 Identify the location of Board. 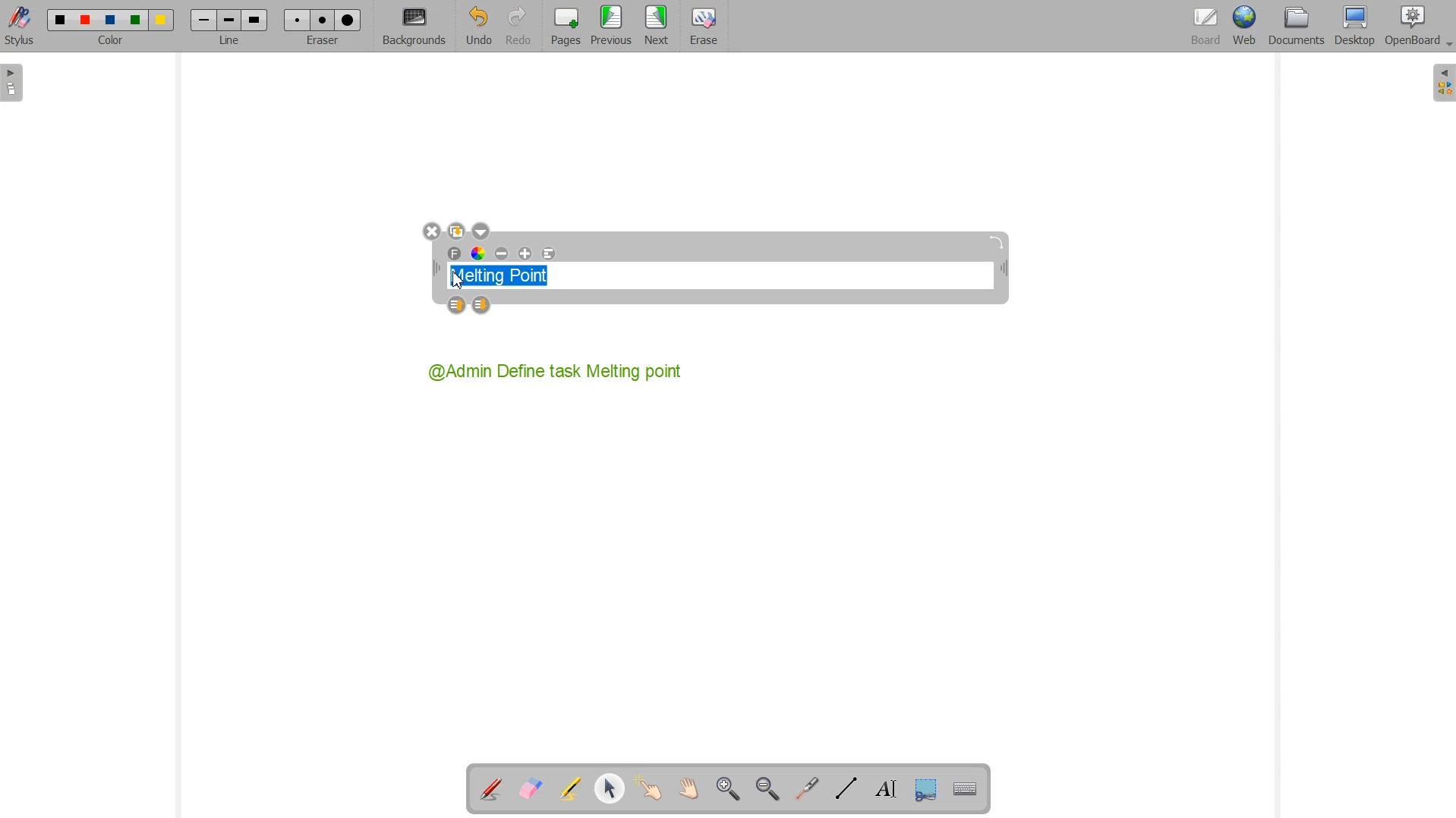
(1203, 27).